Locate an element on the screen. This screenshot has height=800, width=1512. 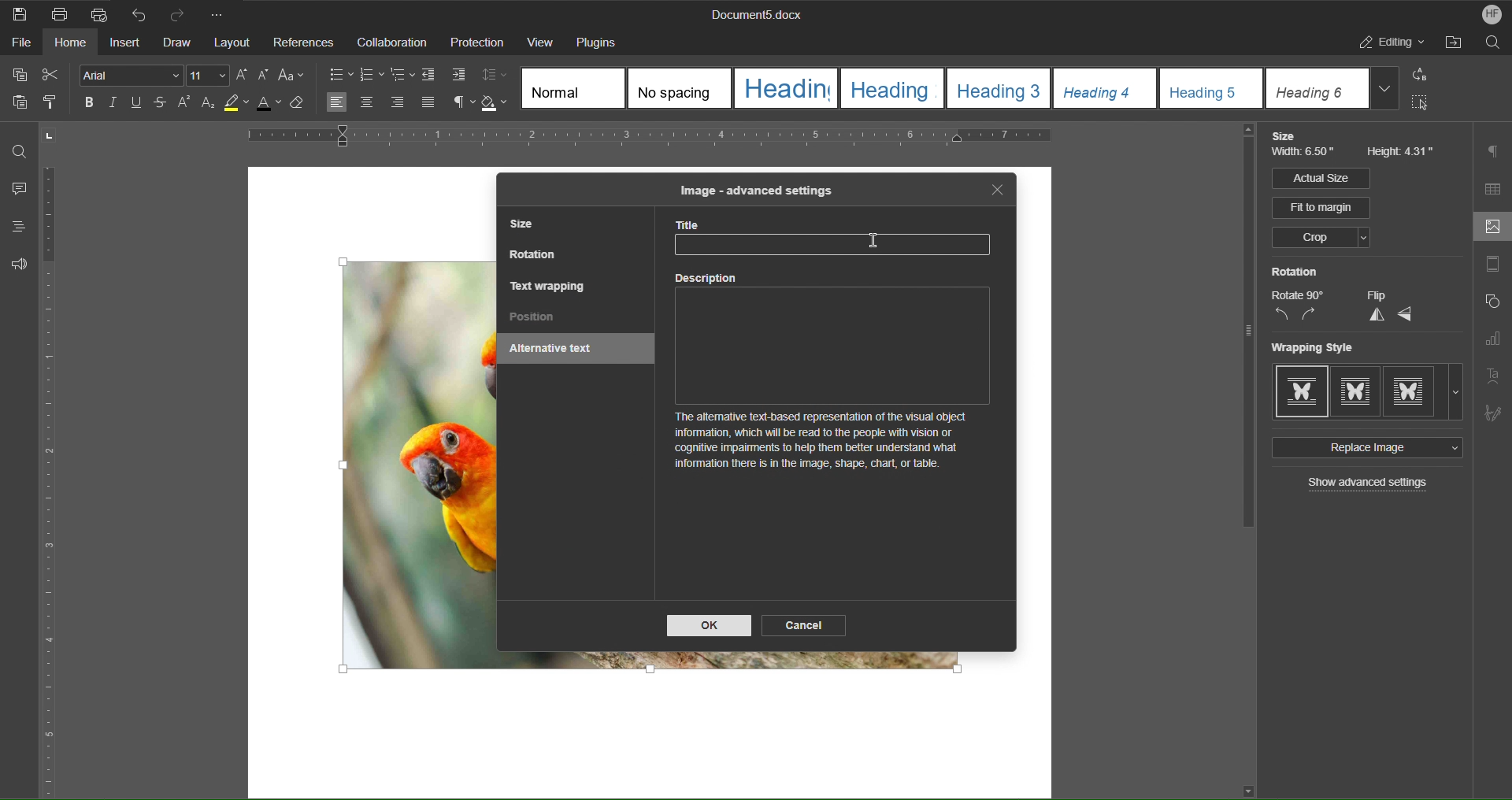
Close is located at coordinates (998, 191).